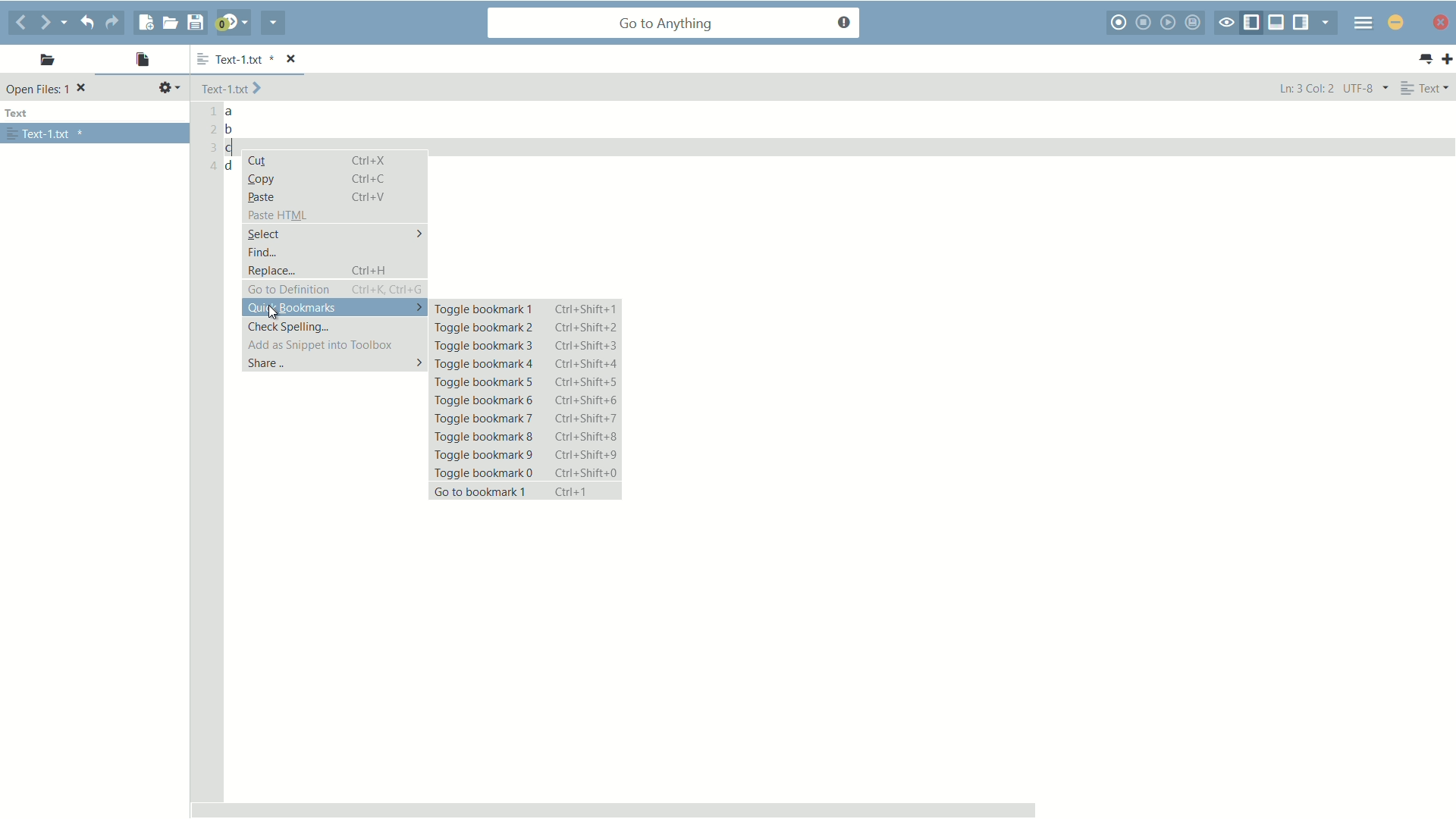  I want to click on Cursor, so click(276, 311).